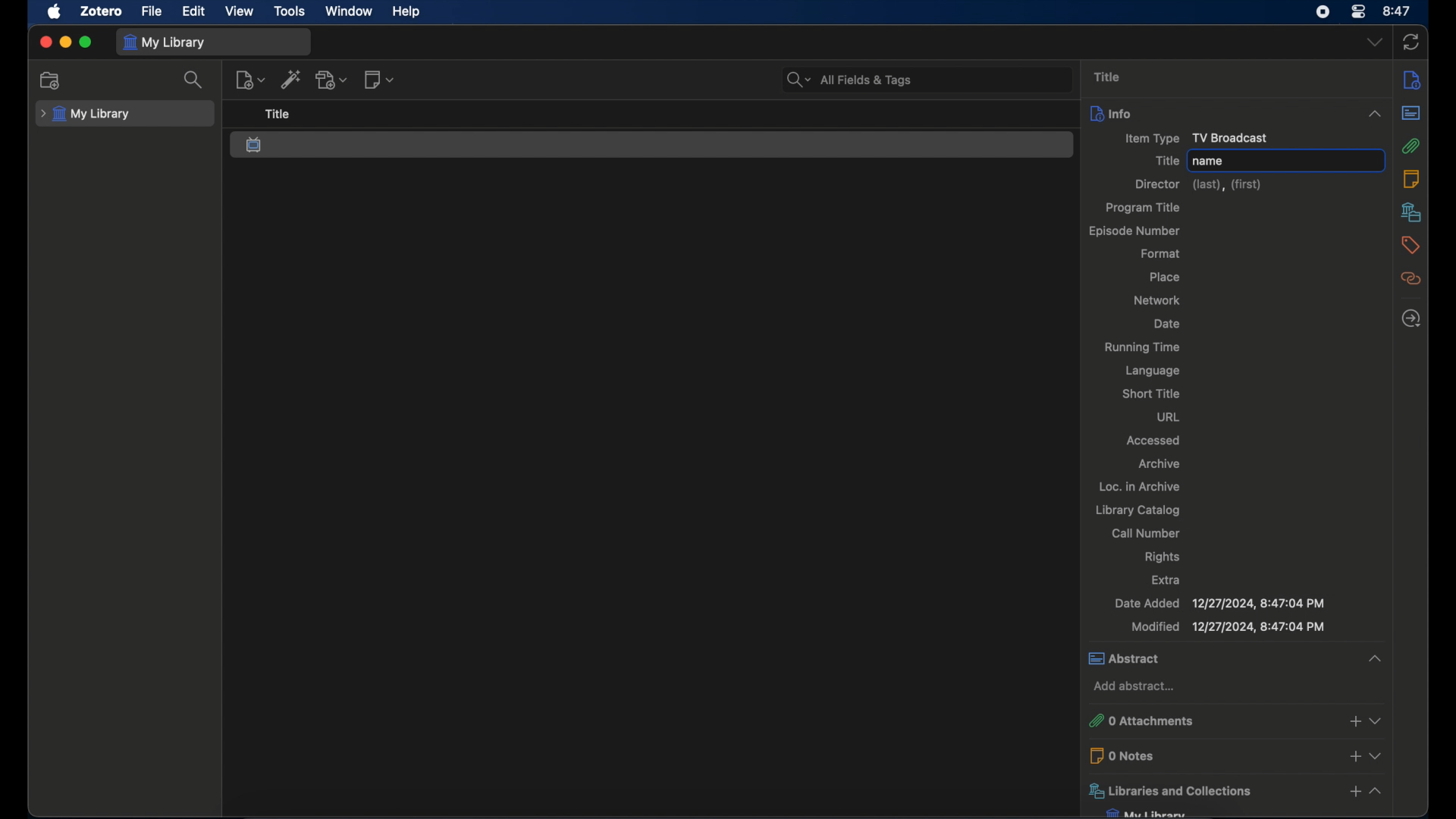 The width and height of the screenshot is (1456, 819). Describe the element at coordinates (1410, 212) in the screenshot. I see `libraries` at that location.